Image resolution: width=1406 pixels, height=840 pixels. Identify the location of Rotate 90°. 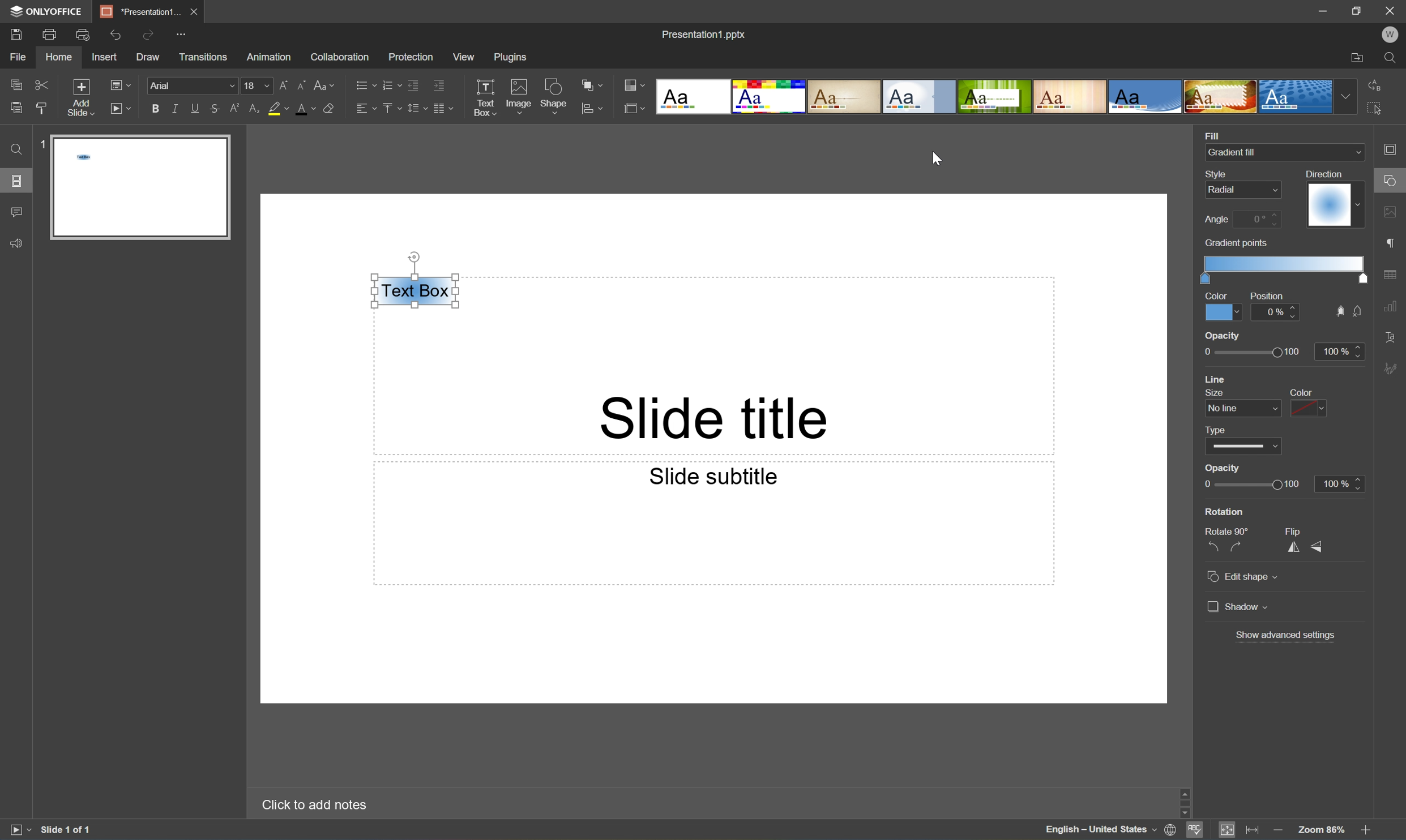
(1226, 530).